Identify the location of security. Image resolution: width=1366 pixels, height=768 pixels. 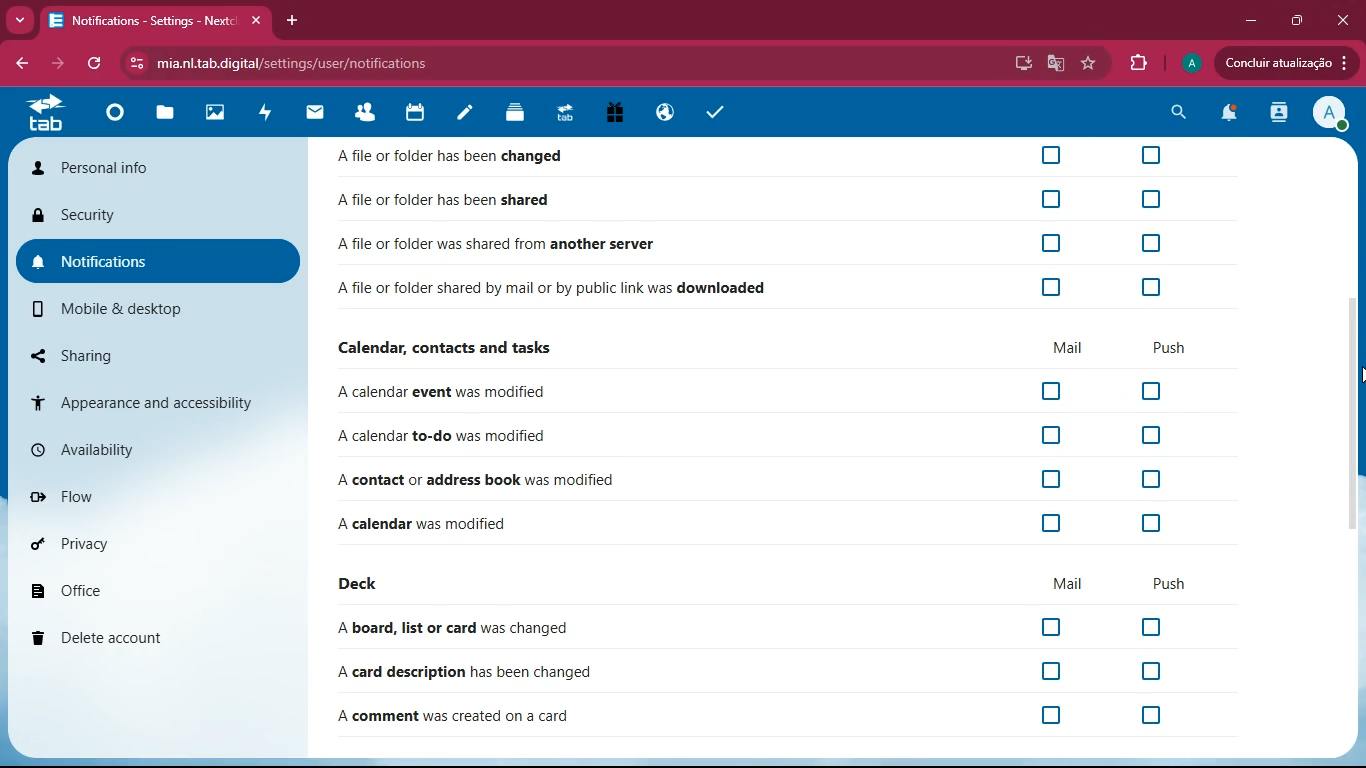
(148, 215).